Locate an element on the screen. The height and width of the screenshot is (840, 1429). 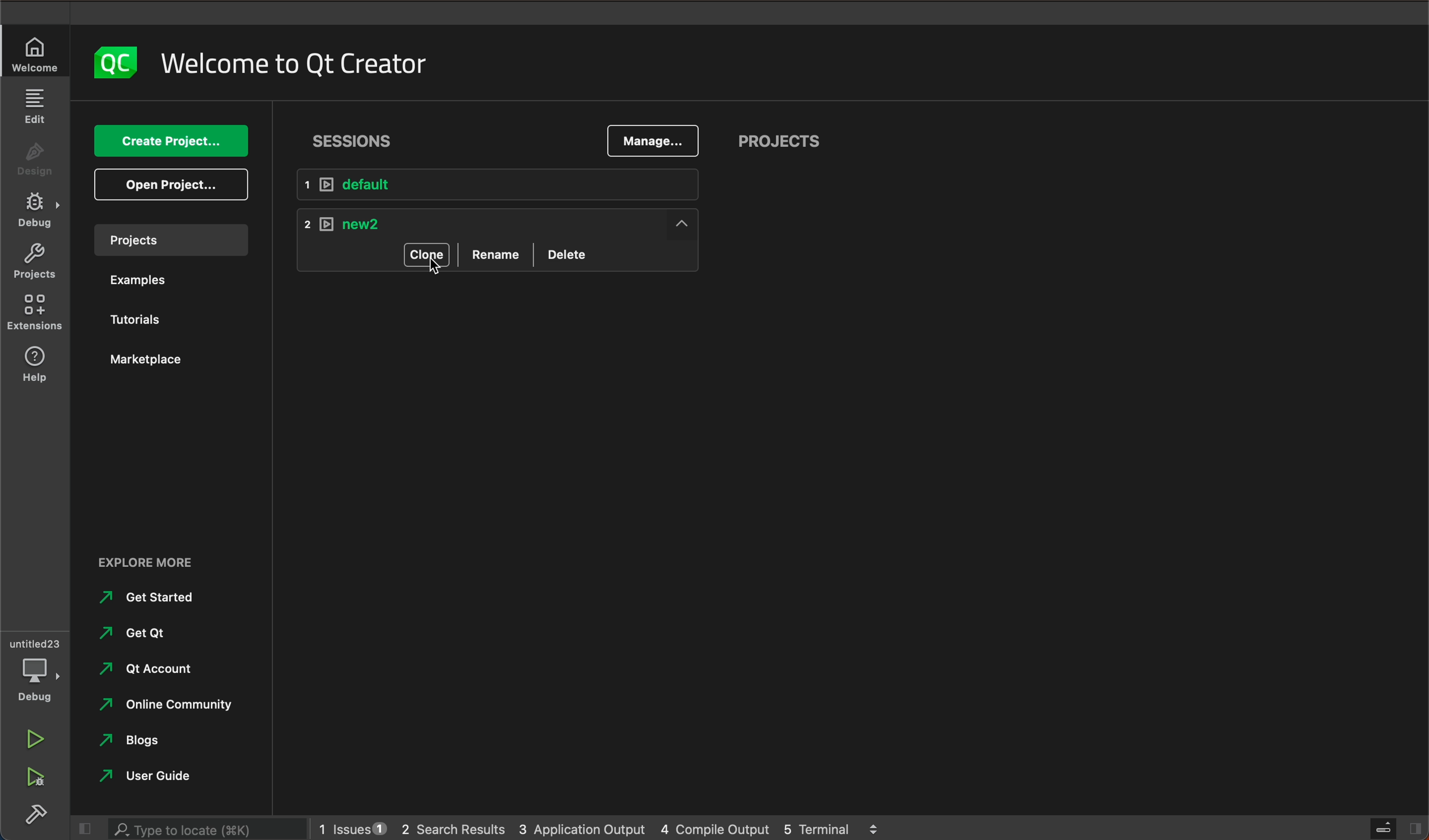
application output is located at coordinates (581, 825).